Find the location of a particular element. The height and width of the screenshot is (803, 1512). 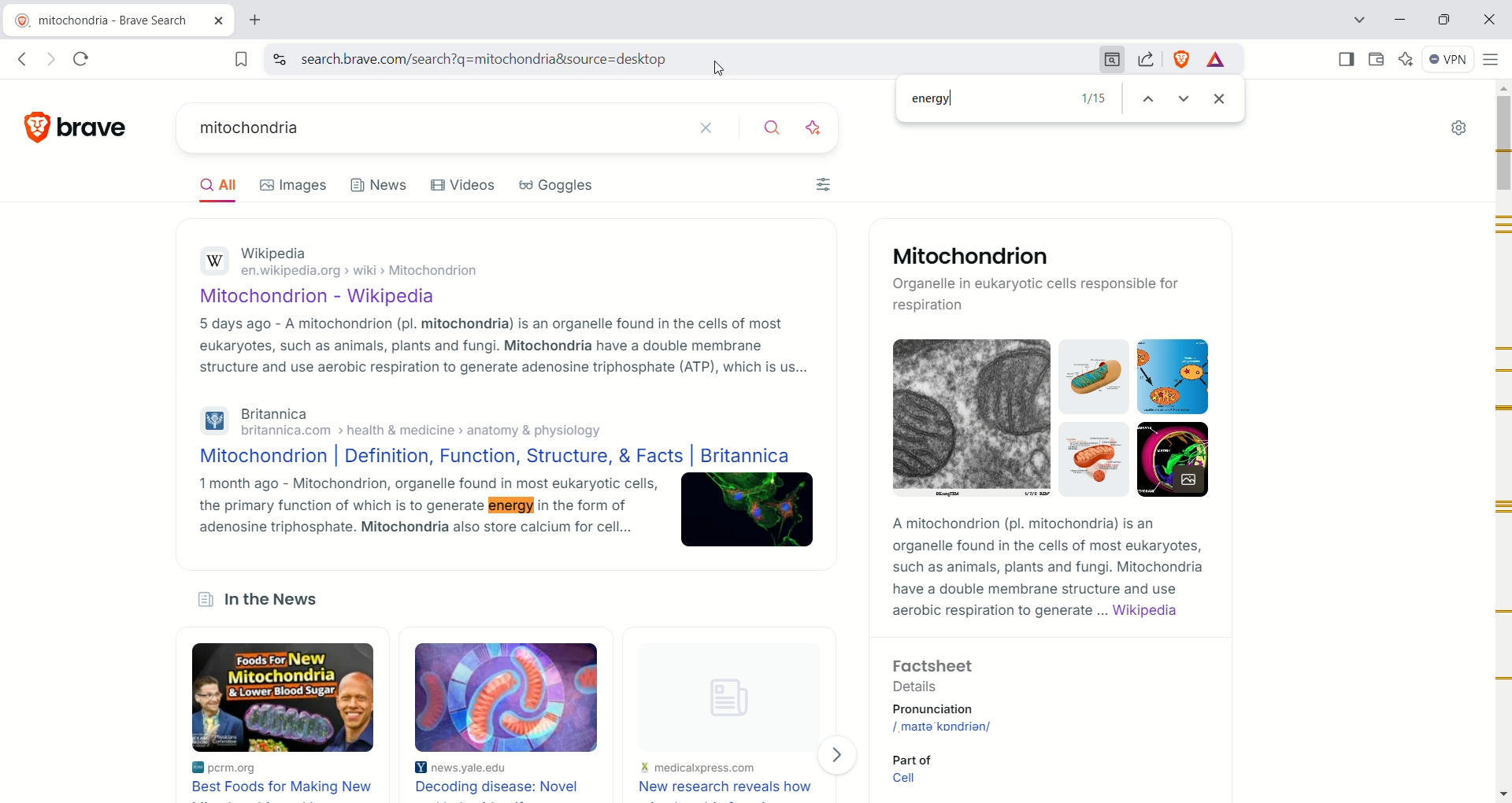

in the News is located at coordinates (265, 599).